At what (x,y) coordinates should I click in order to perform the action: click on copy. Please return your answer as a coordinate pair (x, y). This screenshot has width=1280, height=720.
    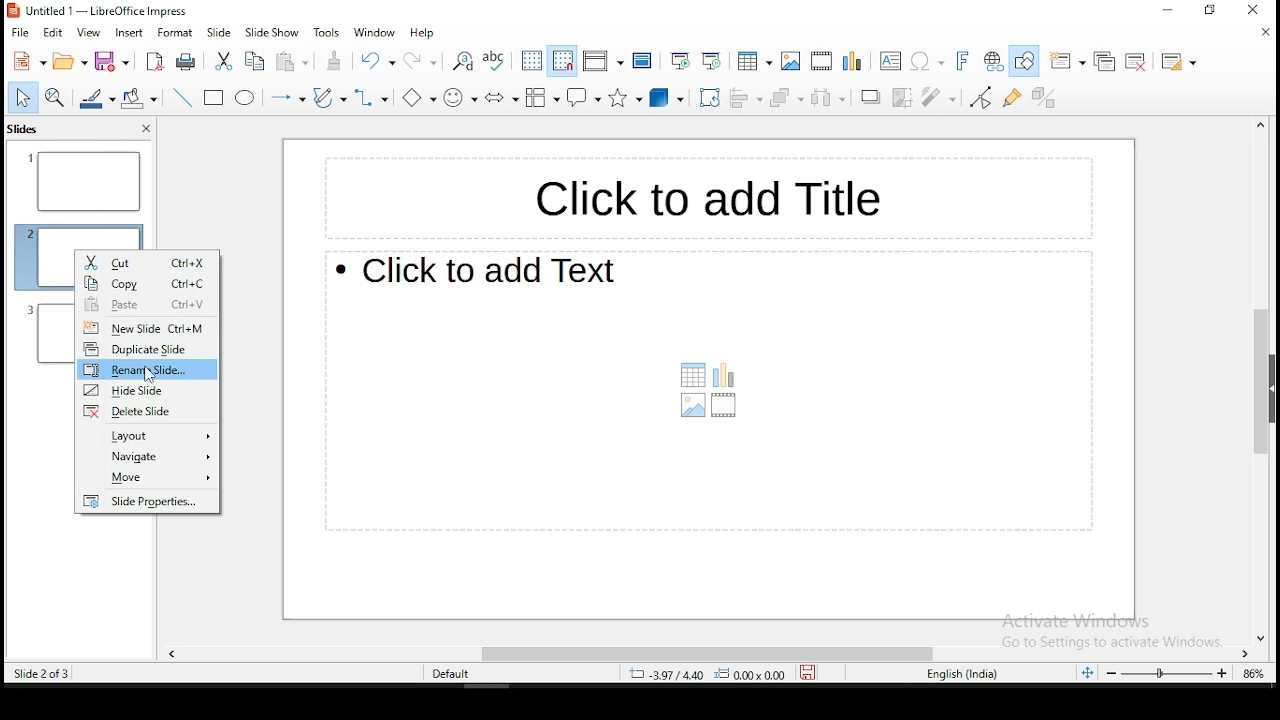
    Looking at the image, I should click on (147, 283).